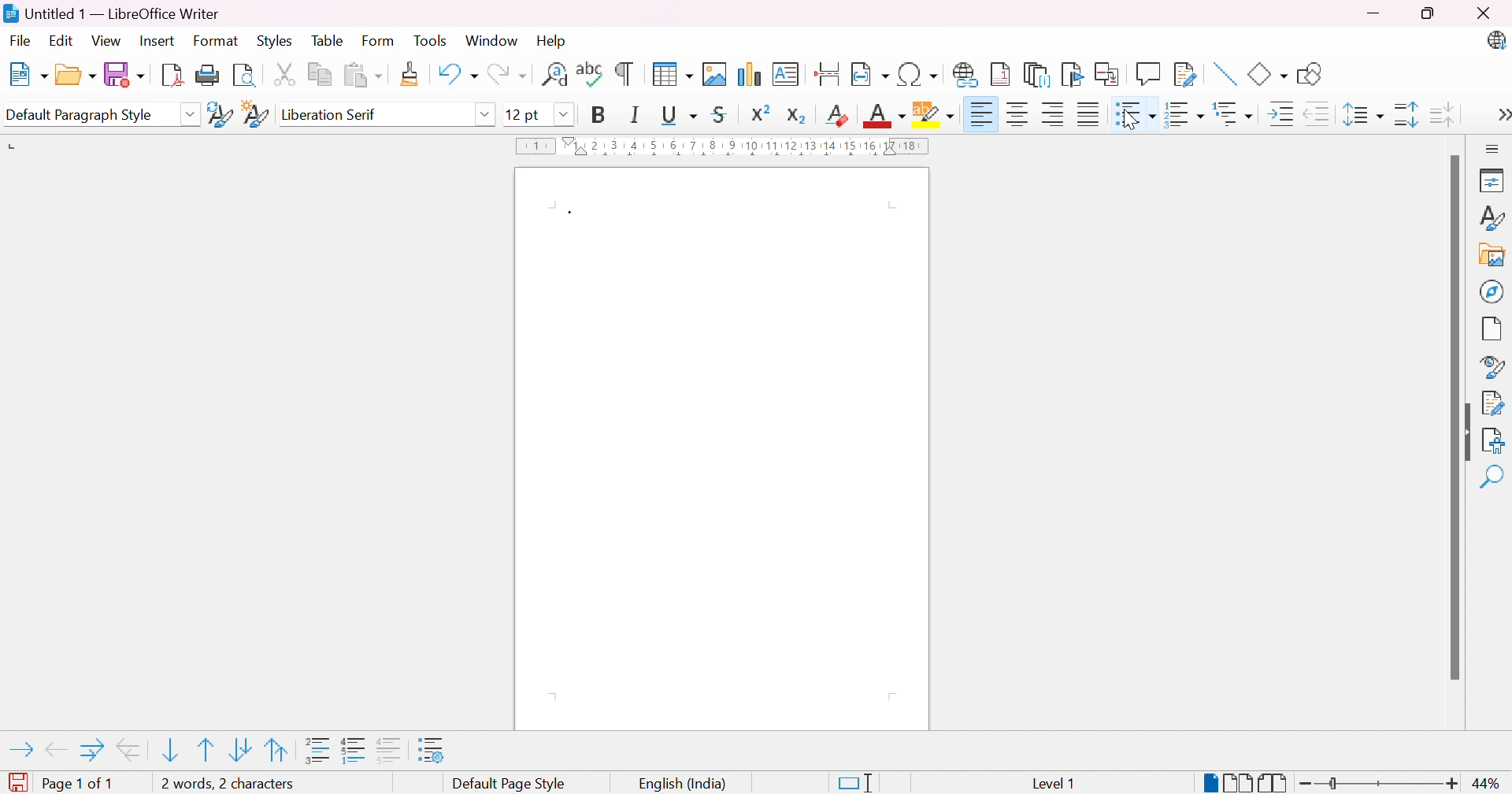  I want to click on Toggle restart numbering, so click(354, 751).